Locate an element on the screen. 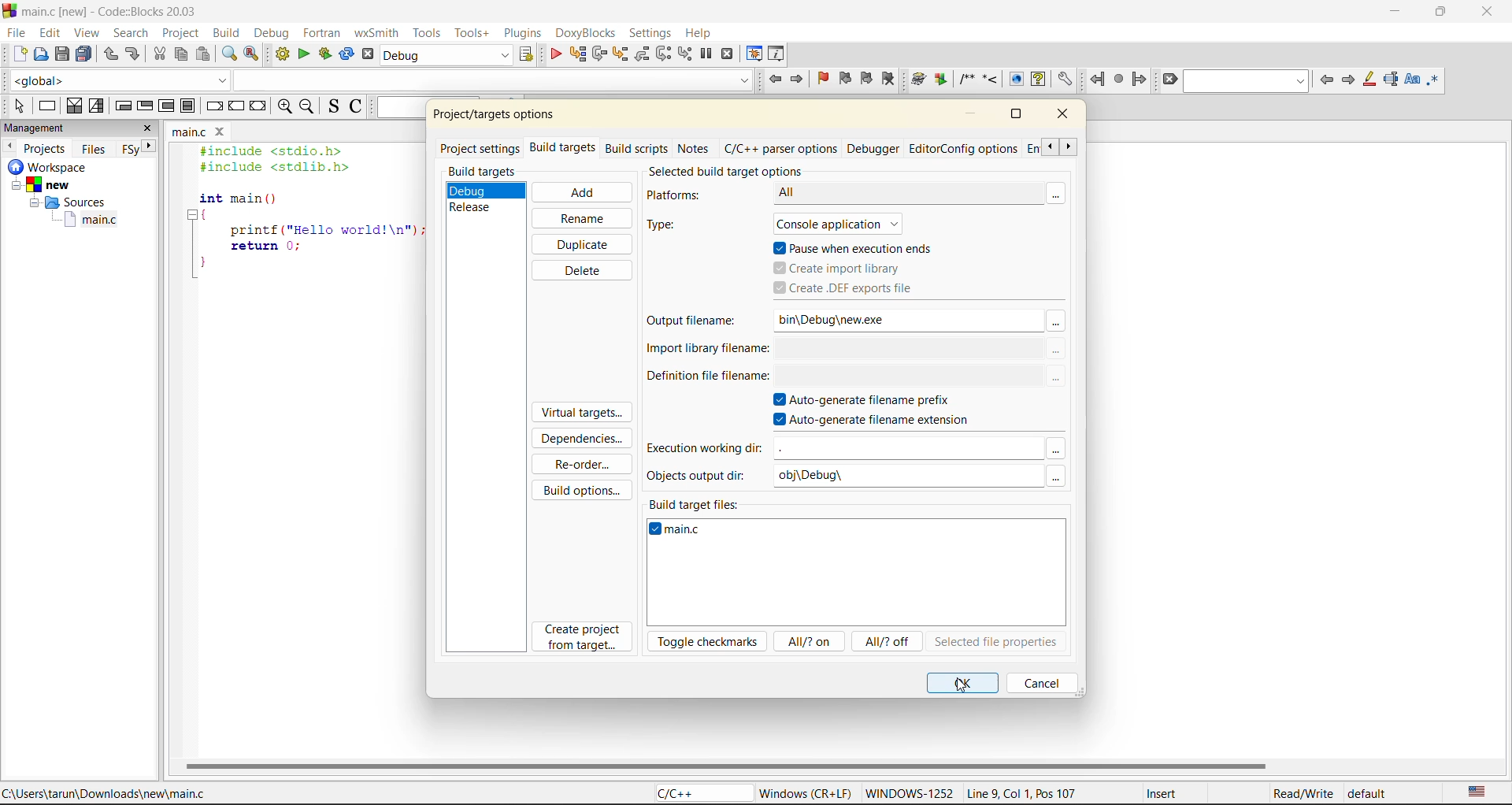  rename is located at coordinates (580, 218).